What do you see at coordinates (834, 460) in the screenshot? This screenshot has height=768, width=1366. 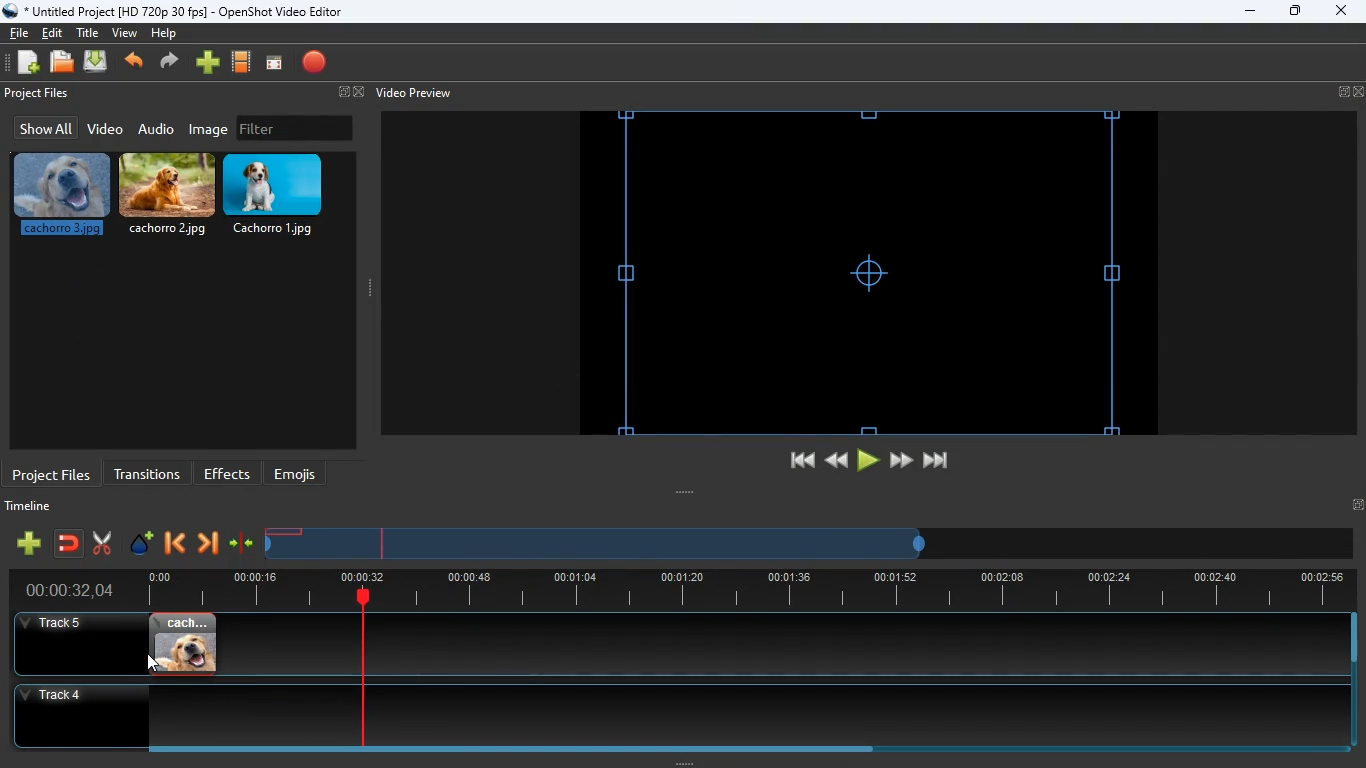 I see `back` at bounding box center [834, 460].